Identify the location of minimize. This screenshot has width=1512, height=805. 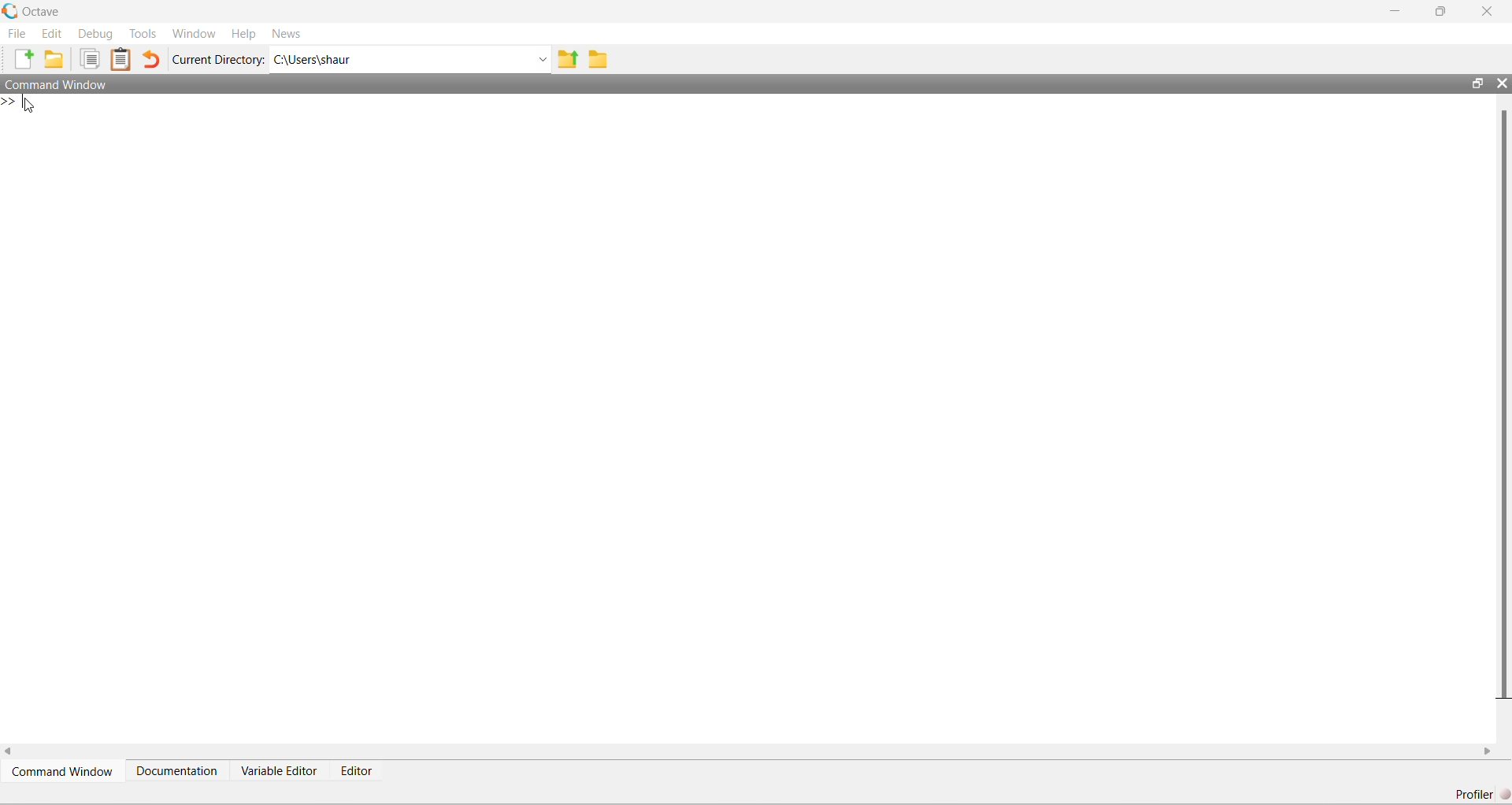
(1395, 10).